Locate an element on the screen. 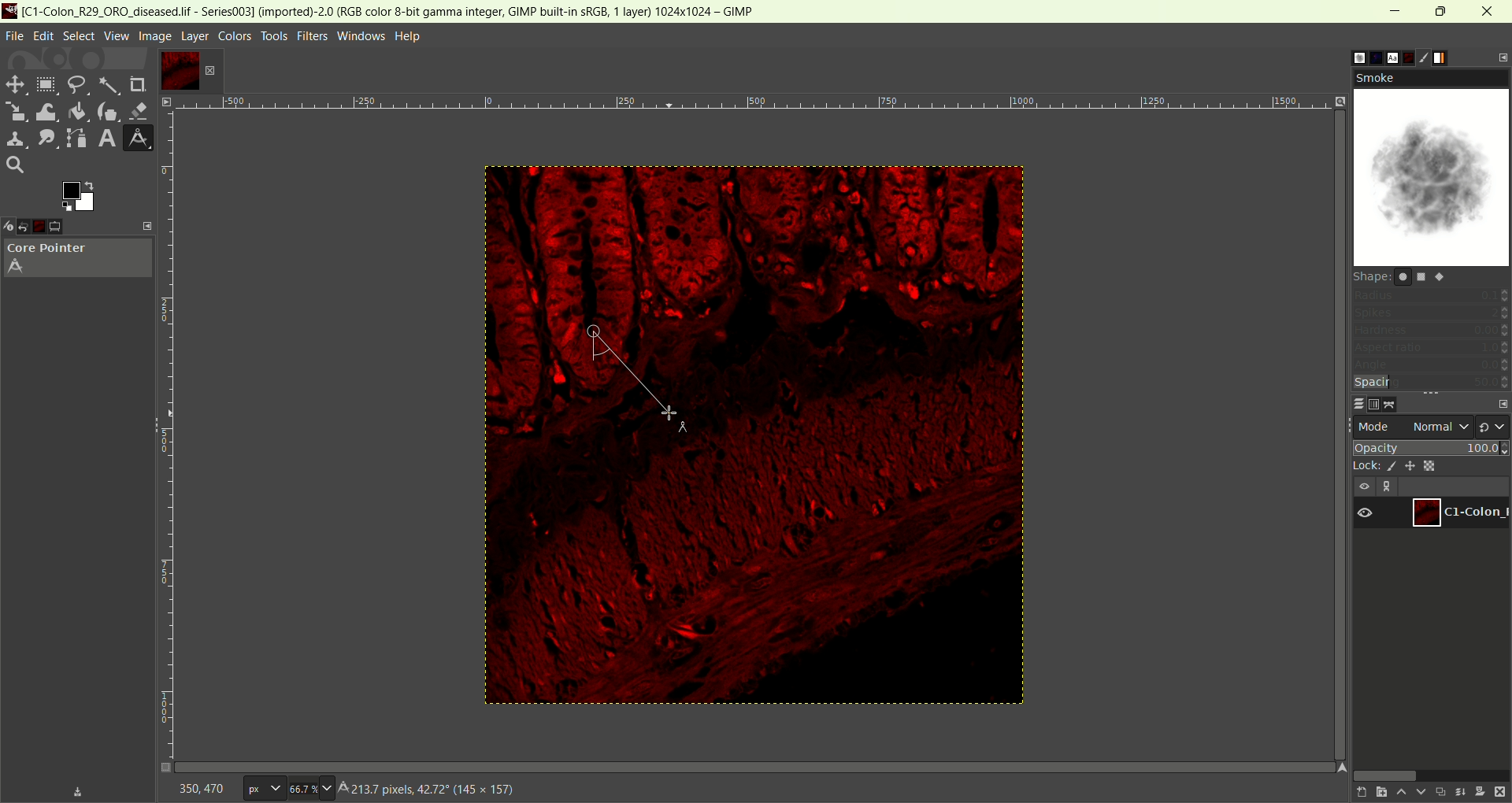 This screenshot has height=803, width=1512. Click-Drag t create a line is located at coordinates (418, 790).